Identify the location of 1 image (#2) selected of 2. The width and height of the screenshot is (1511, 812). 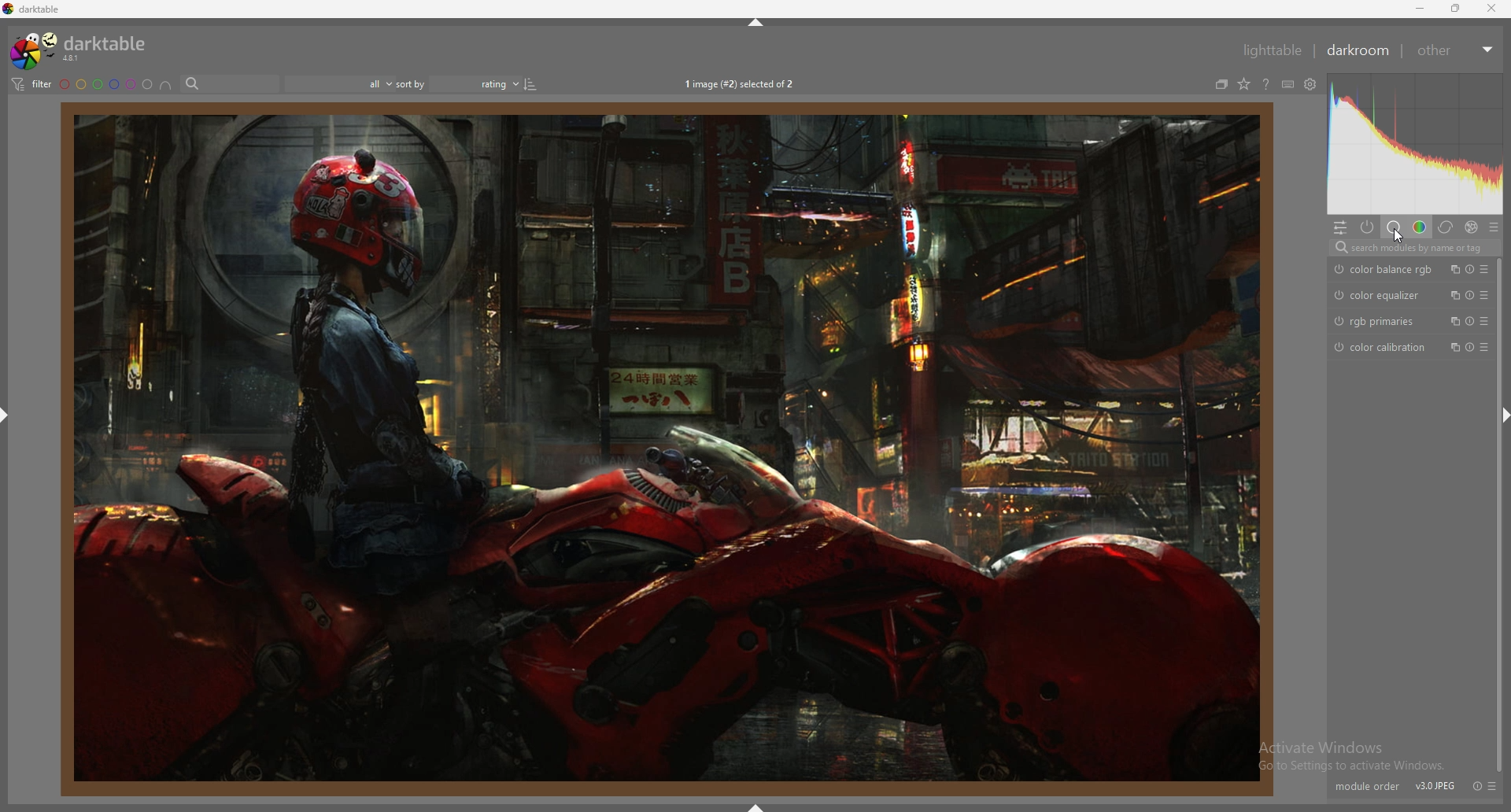
(744, 83).